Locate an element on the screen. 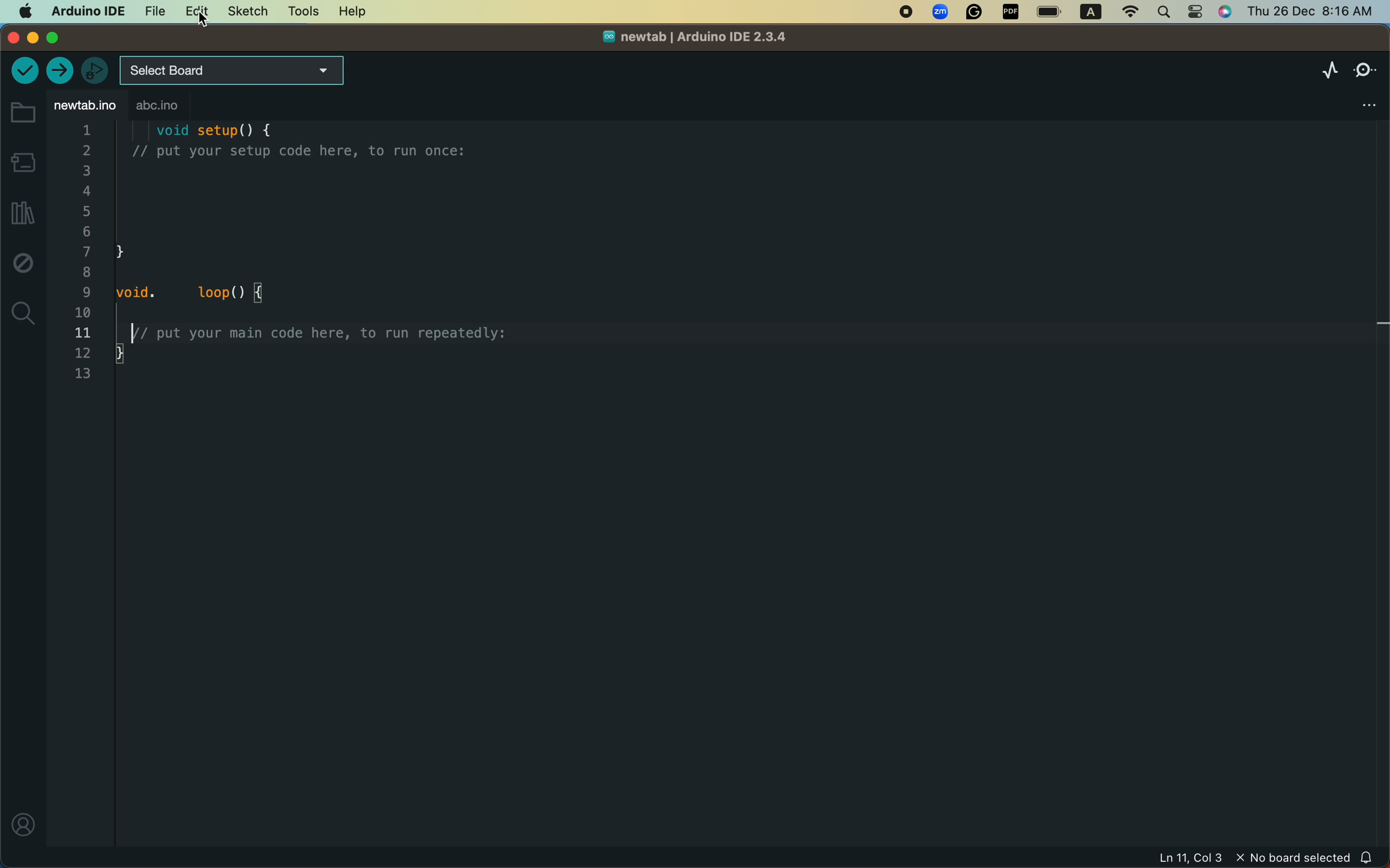  file name is located at coordinates (686, 40).